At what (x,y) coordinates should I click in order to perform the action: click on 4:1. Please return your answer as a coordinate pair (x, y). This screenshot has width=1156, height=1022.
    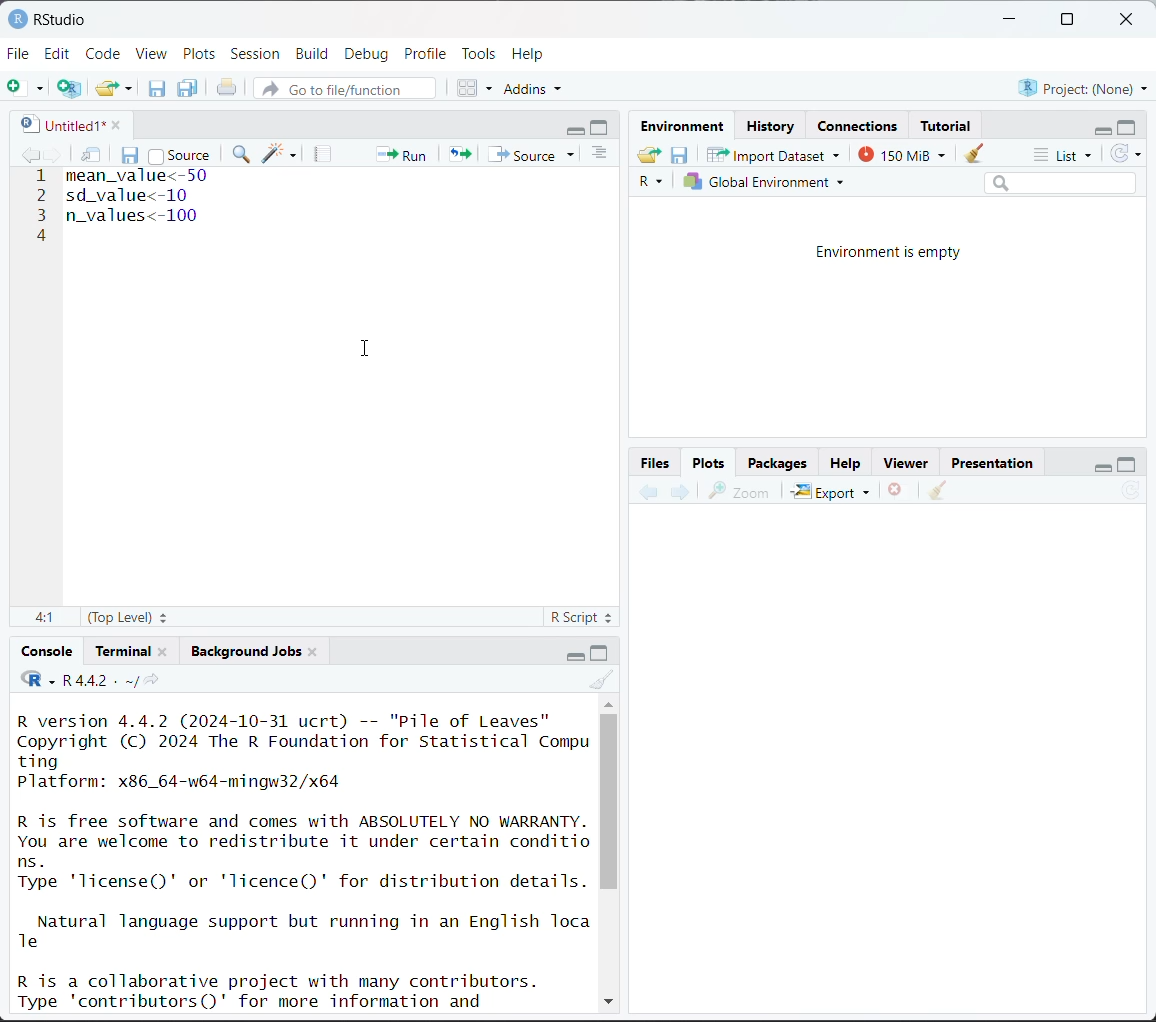
    Looking at the image, I should click on (43, 618).